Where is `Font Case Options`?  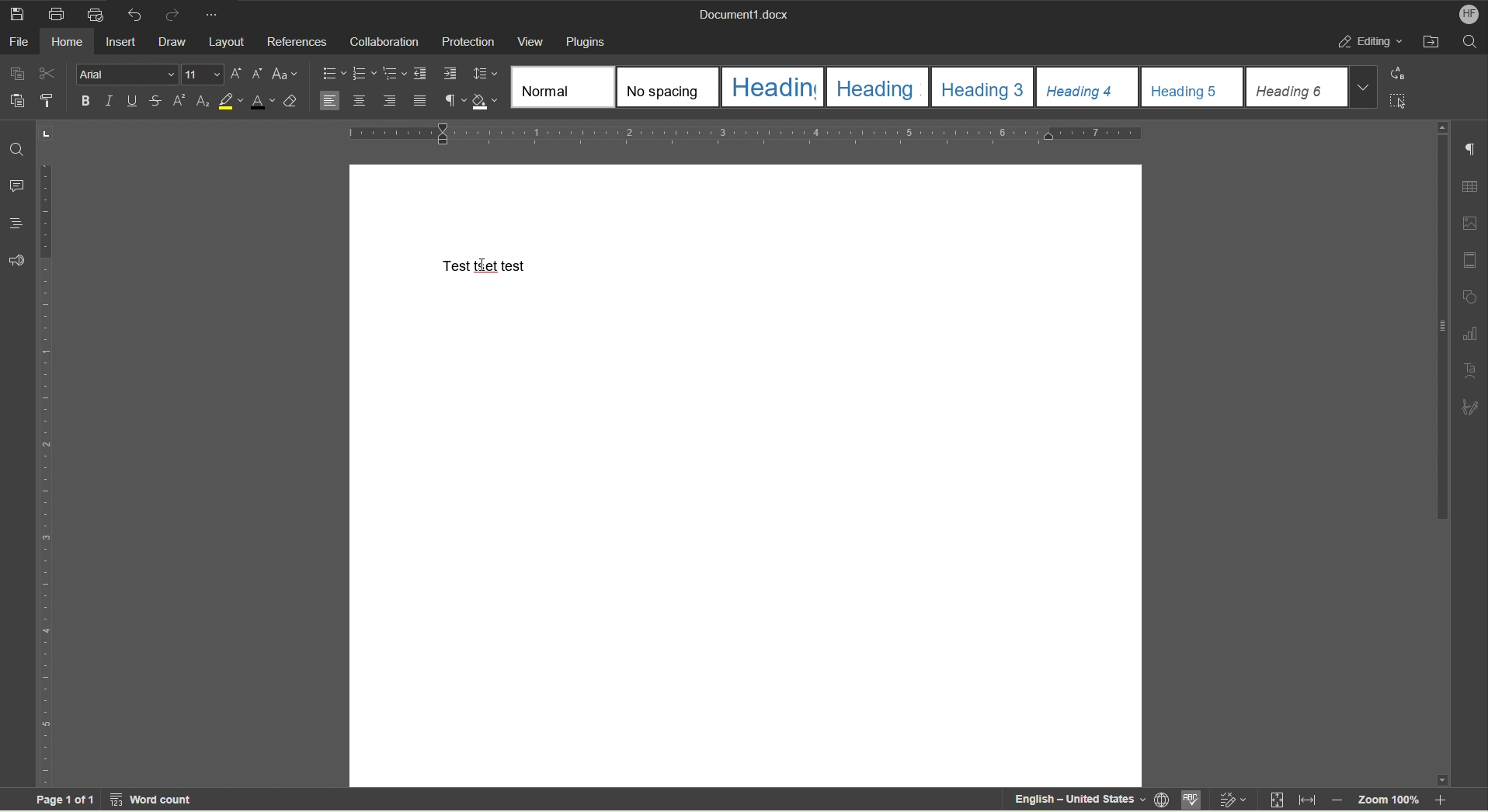 Font Case Options is located at coordinates (285, 75).